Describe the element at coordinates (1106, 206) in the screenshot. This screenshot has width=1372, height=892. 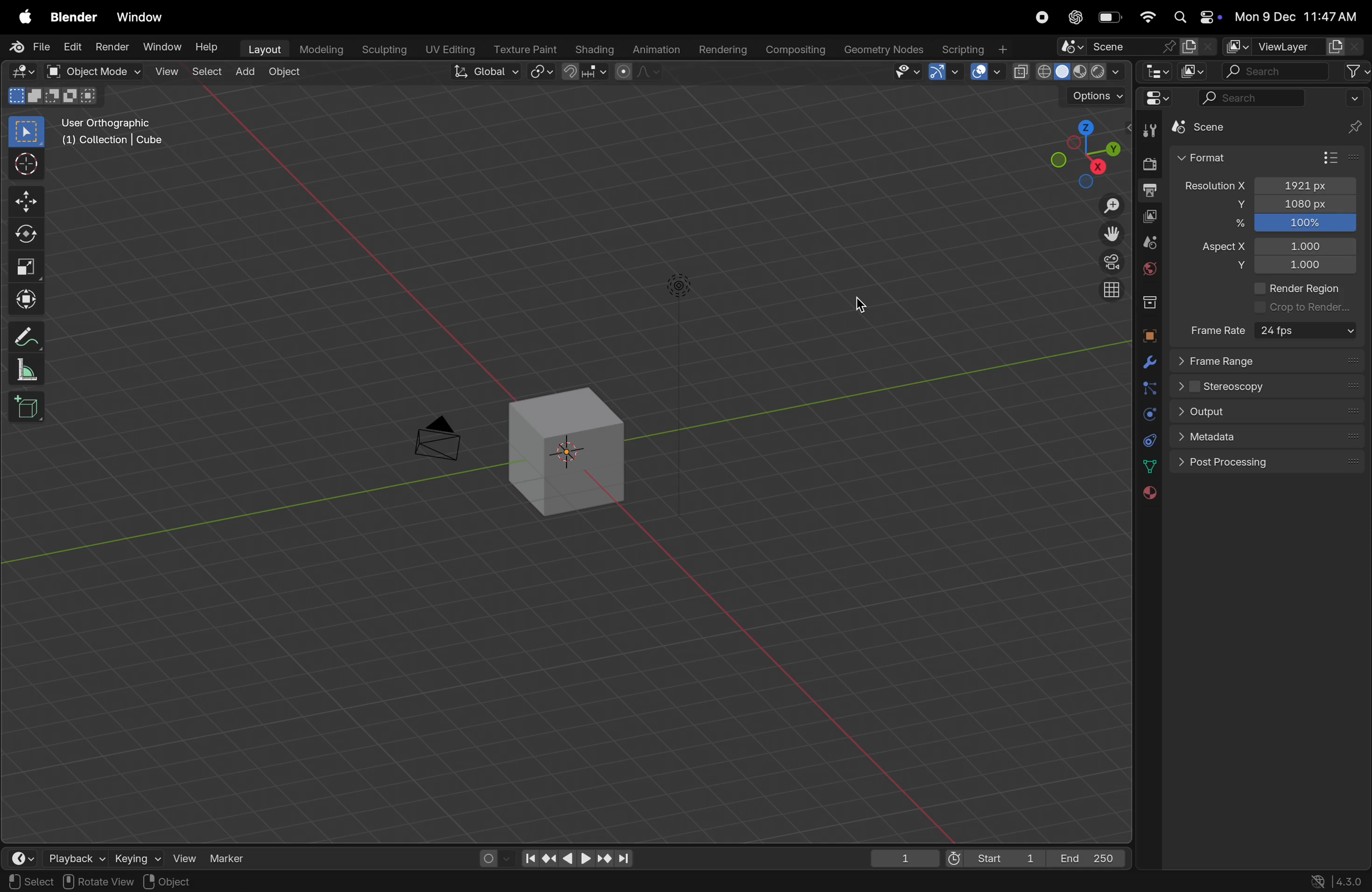
I see `zoom in out` at that location.